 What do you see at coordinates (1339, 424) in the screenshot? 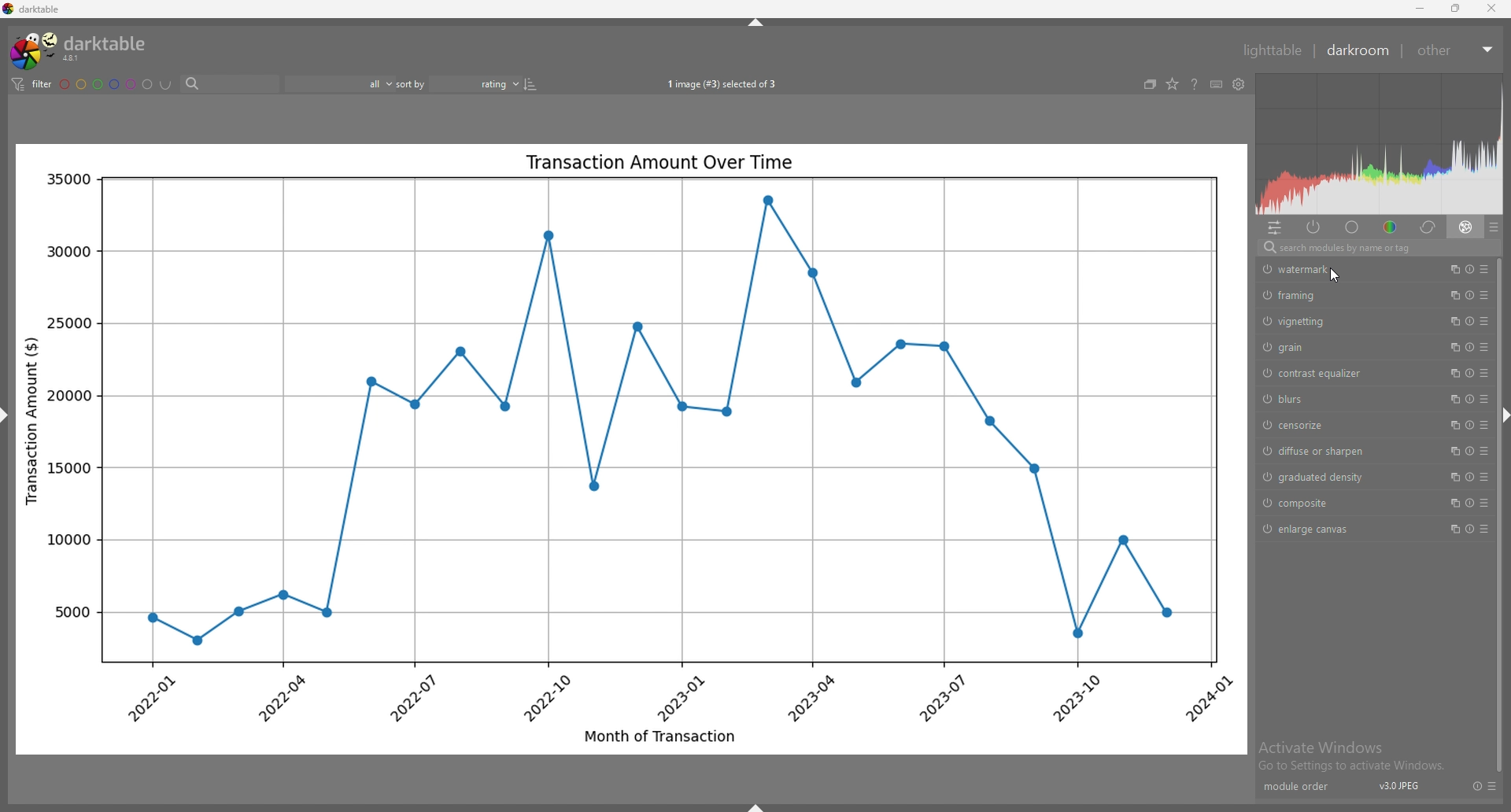
I see `censorize` at bounding box center [1339, 424].